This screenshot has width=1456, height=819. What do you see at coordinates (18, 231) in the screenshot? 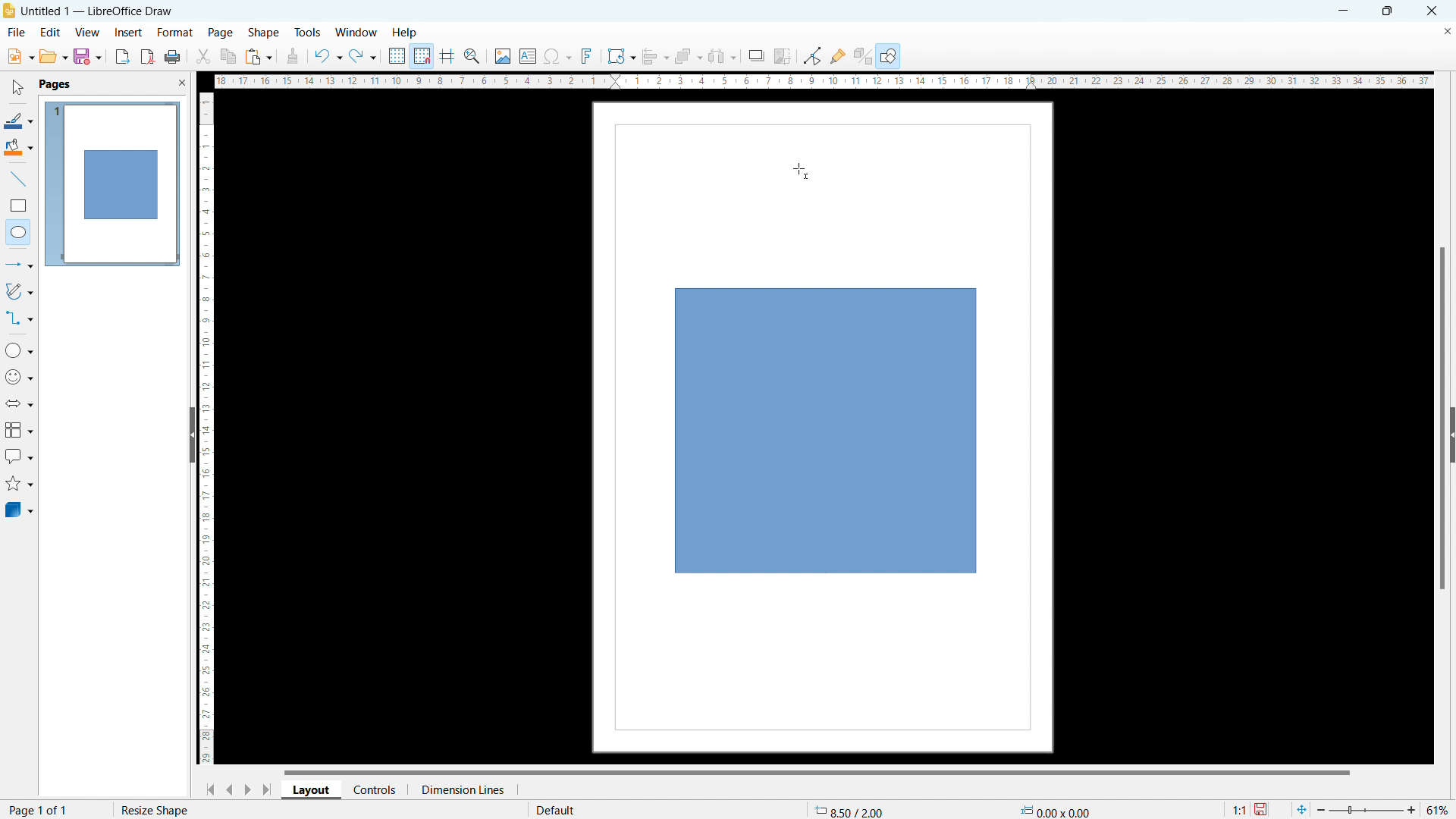
I see `elipse` at bounding box center [18, 231].